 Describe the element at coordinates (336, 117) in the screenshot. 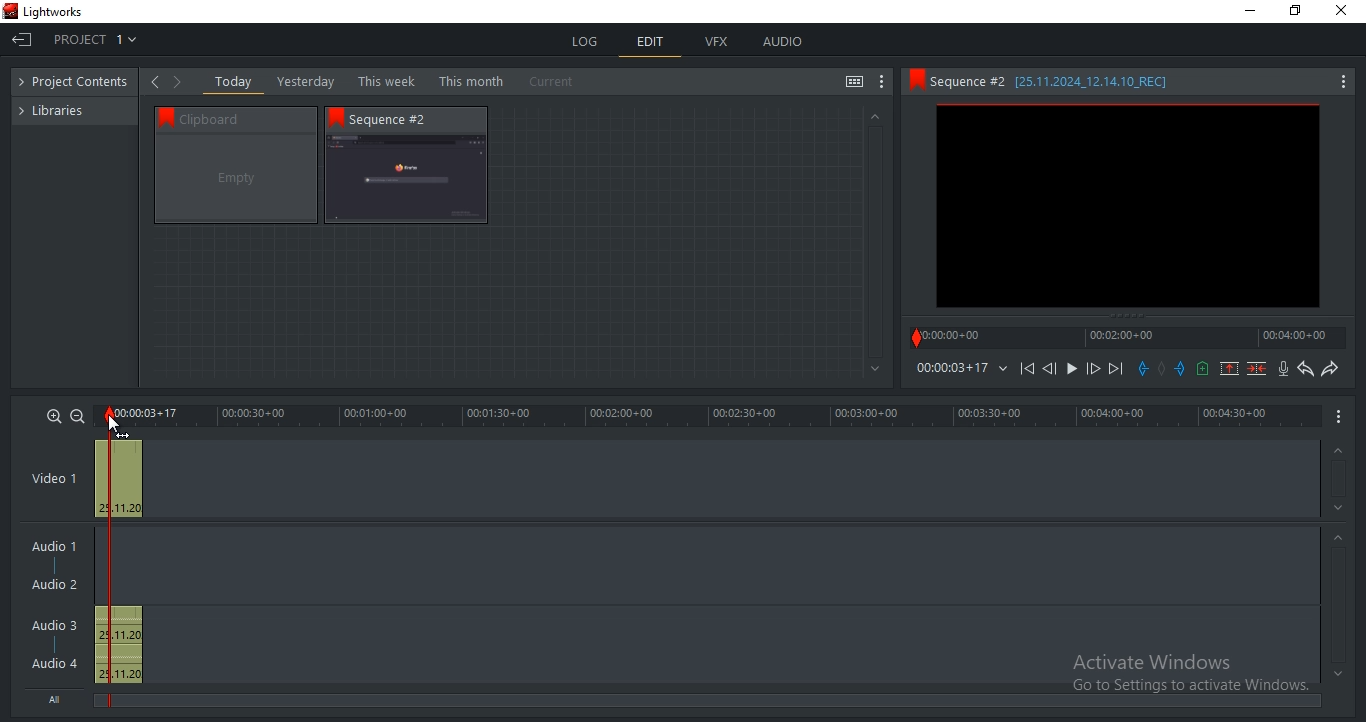

I see `Bookmark icon` at that location.